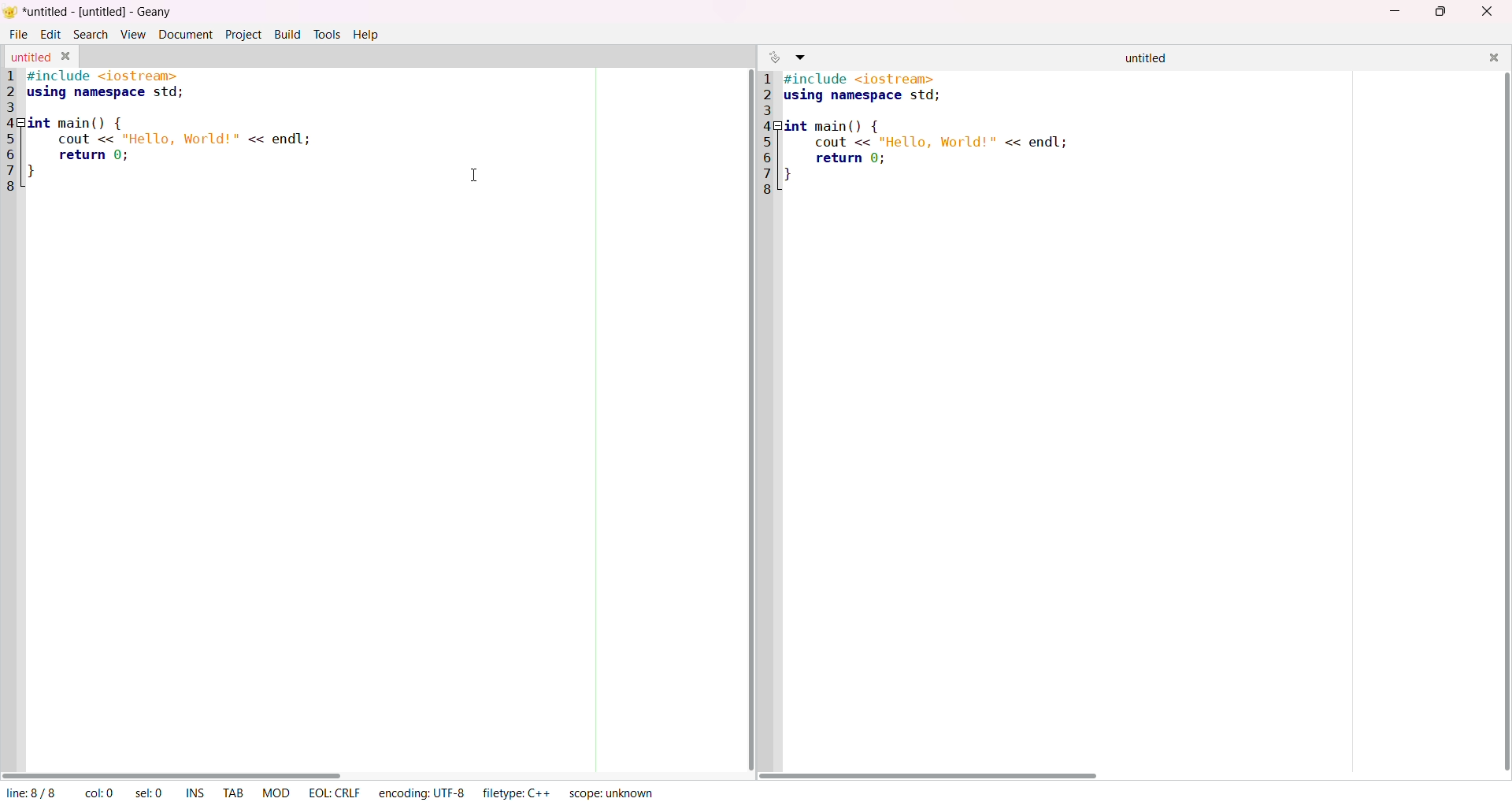 The image size is (1512, 802). Describe the element at coordinates (30, 58) in the screenshot. I see `untitled` at that location.